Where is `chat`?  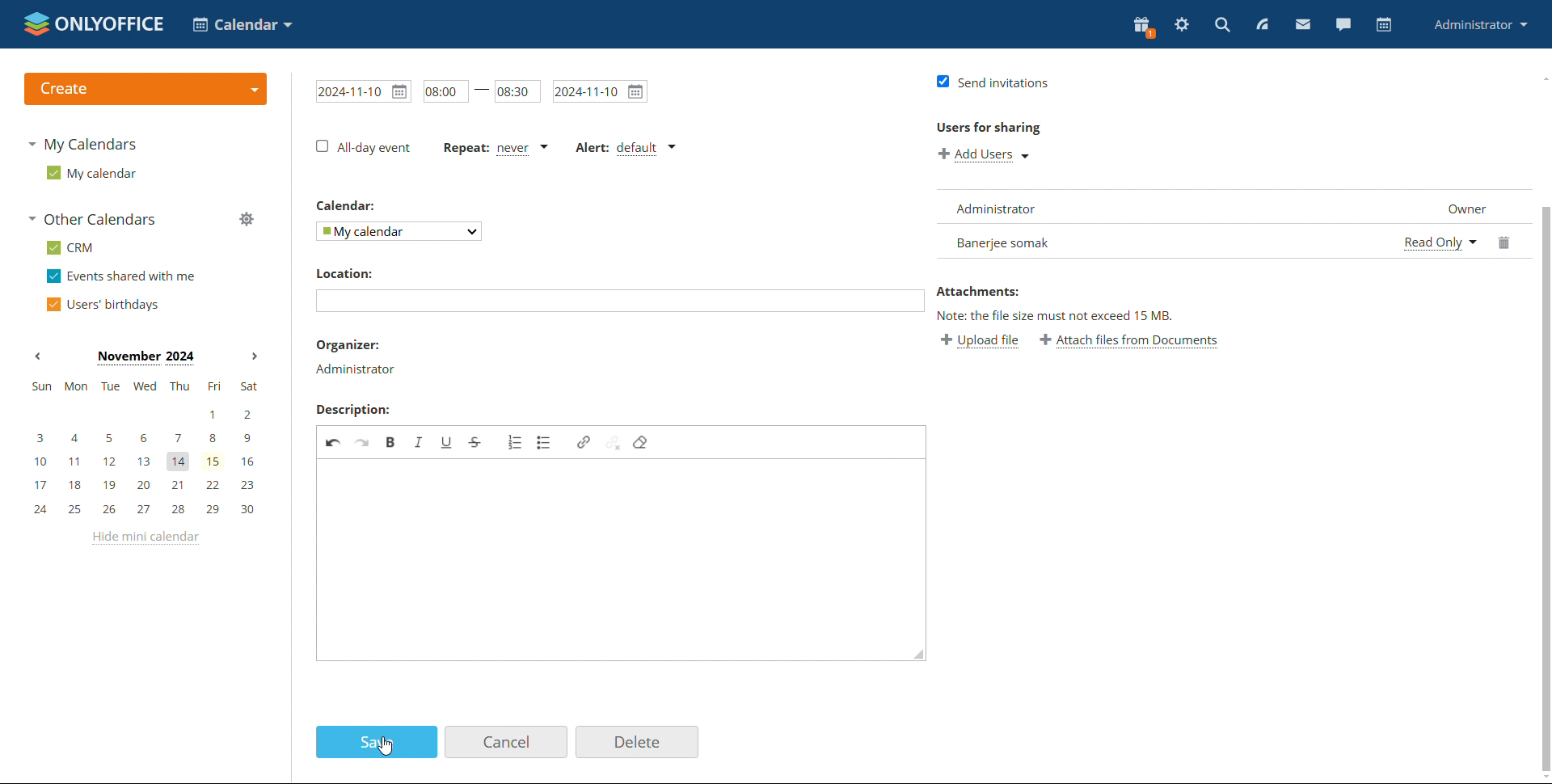 chat is located at coordinates (1343, 24).